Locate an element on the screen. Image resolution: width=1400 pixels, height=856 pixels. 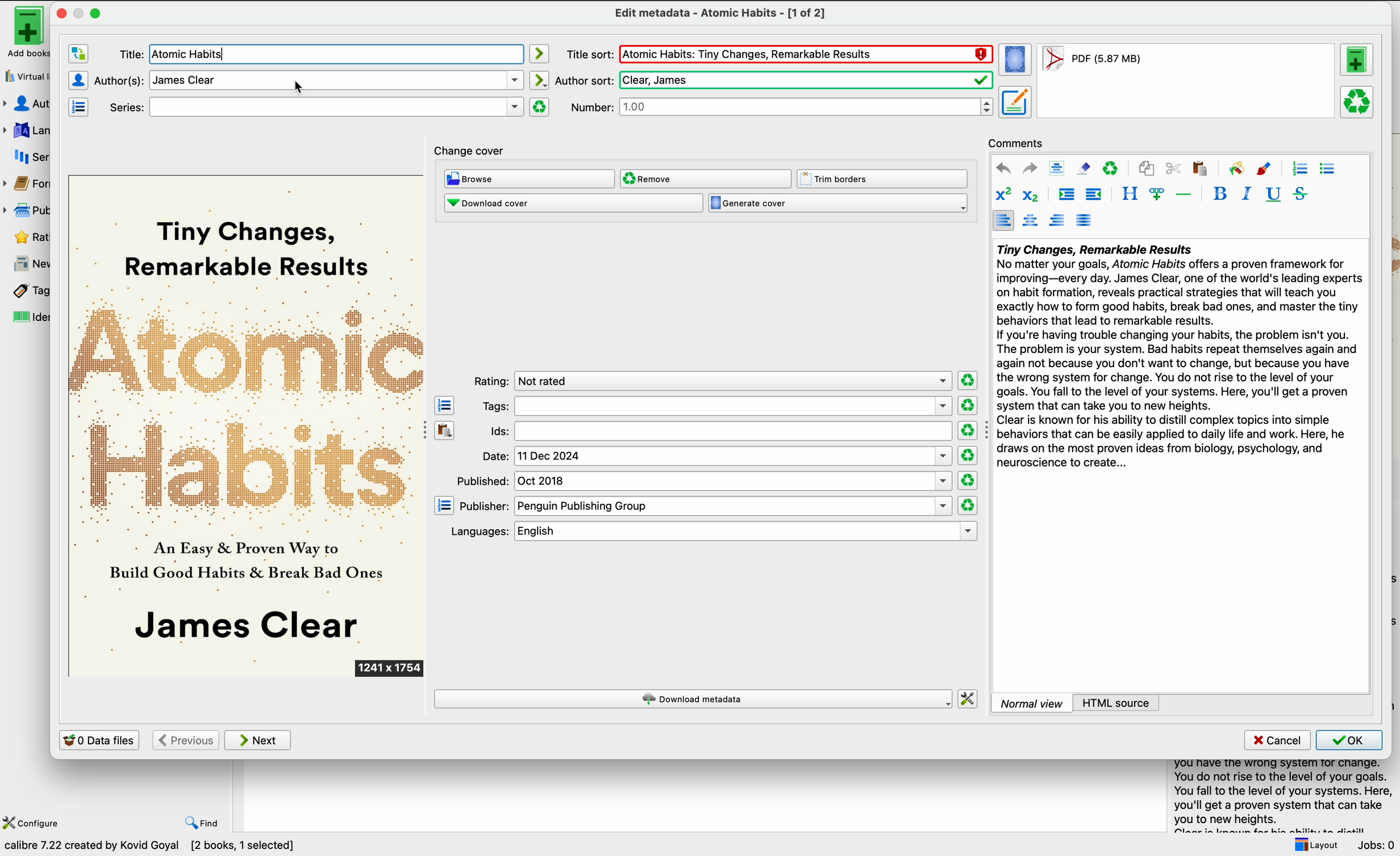
set metadata for the book from the selected format is located at coordinates (1015, 103).